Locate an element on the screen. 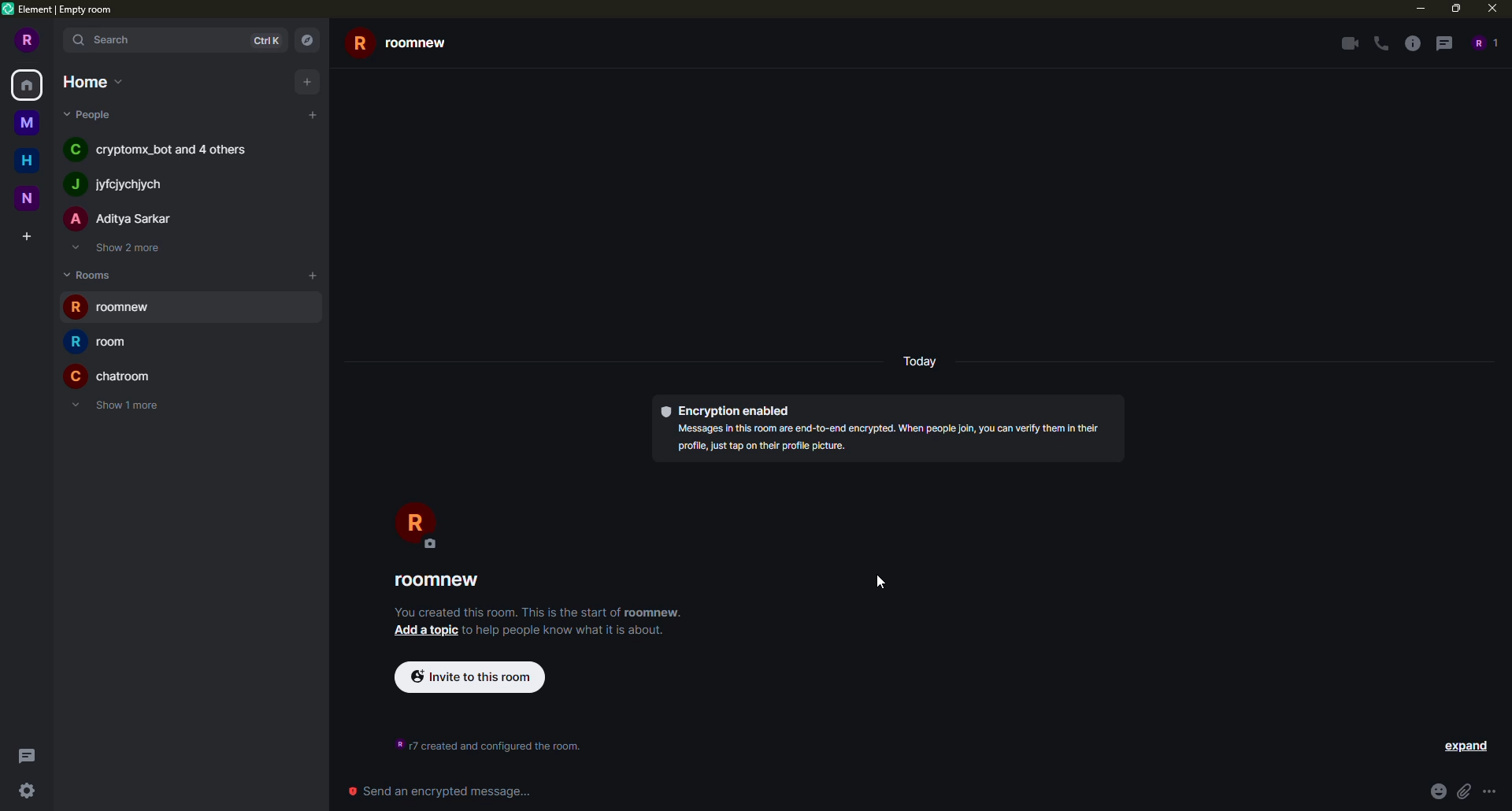 The width and height of the screenshot is (1512, 811). people is located at coordinates (1484, 41).